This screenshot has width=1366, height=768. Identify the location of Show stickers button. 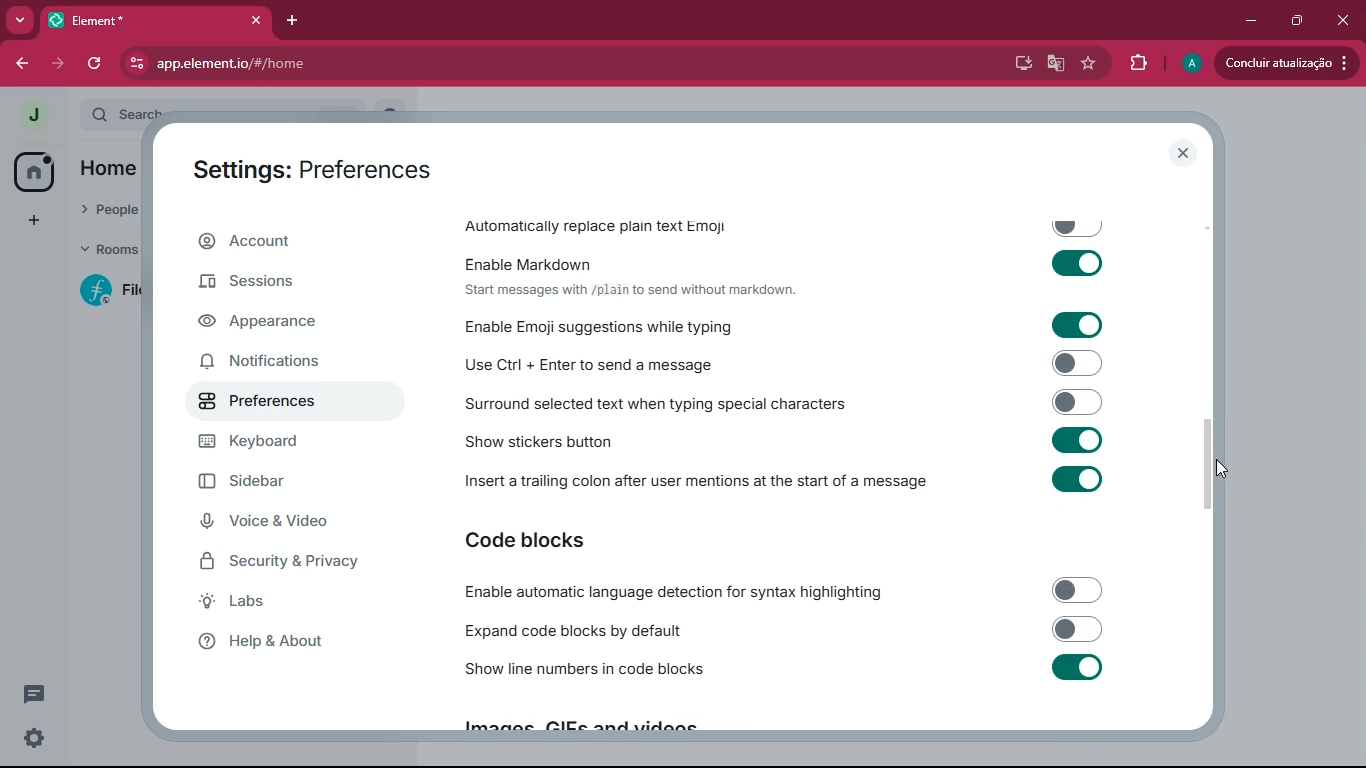
(789, 445).